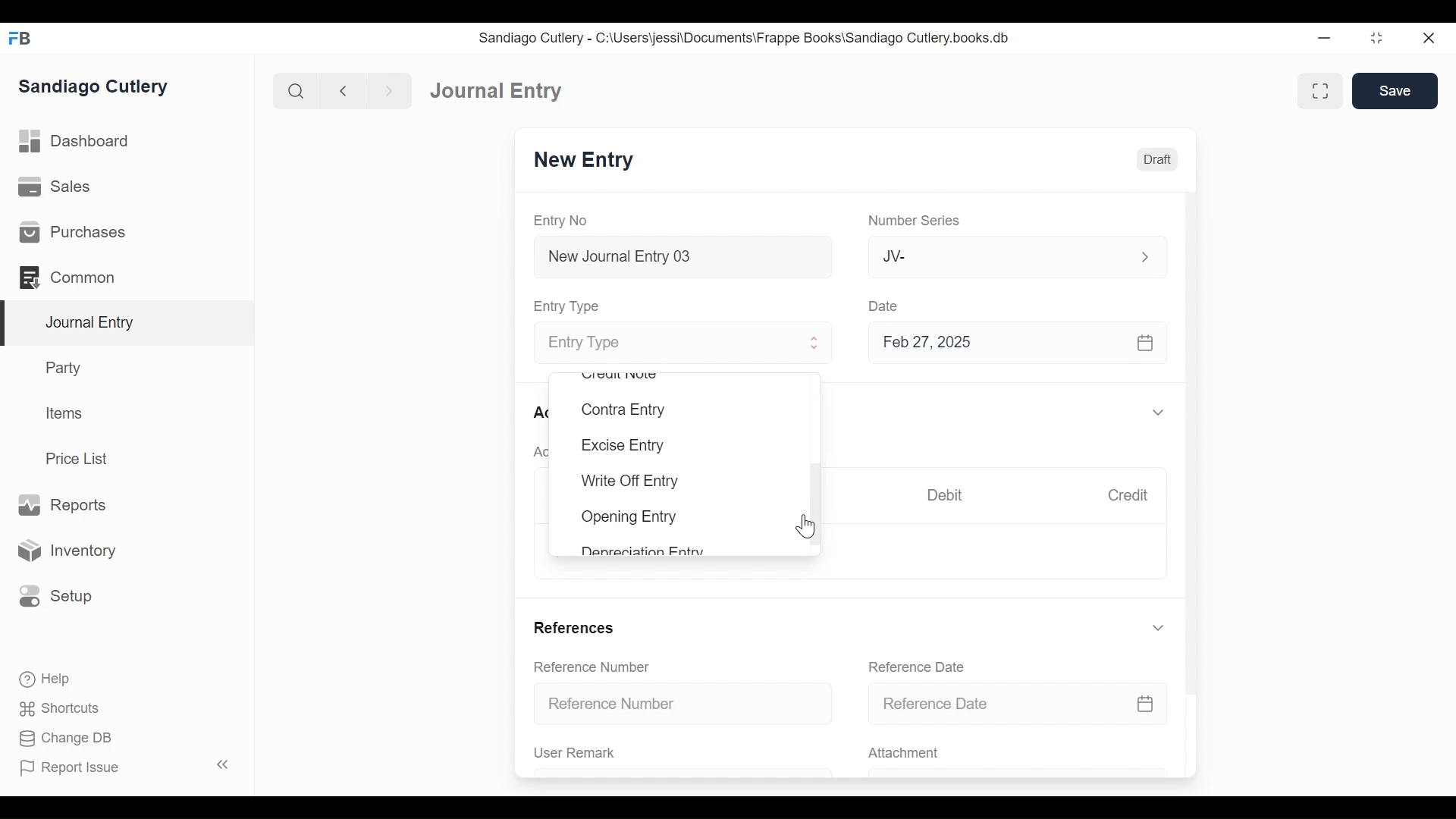 The height and width of the screenshot is (819, 1456). I want to click on Toggle between form and full width, so click(1320, 90).